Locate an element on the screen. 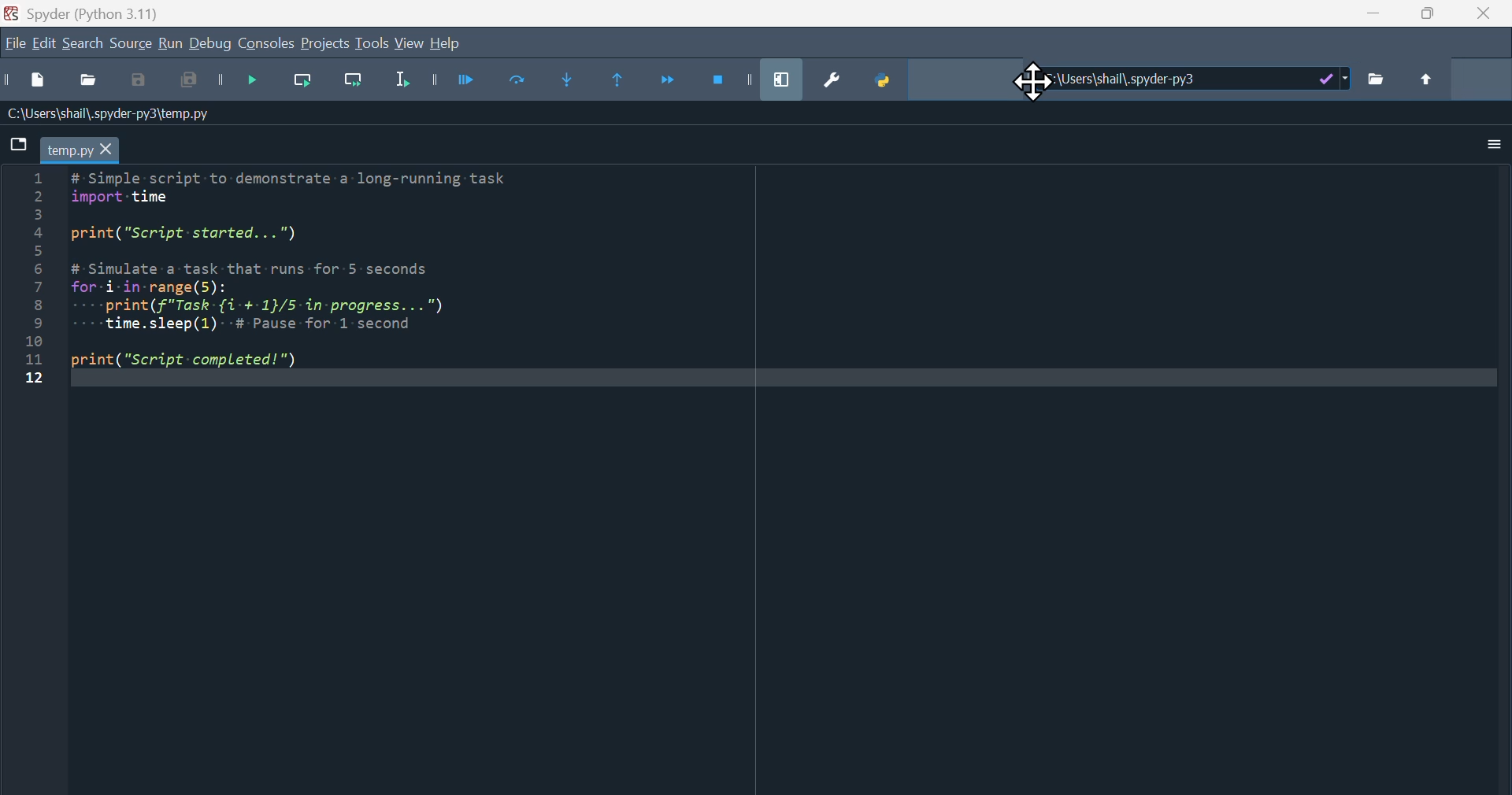 The image size is (1512, 795). Python path manager is located at coordinates (888, 79).